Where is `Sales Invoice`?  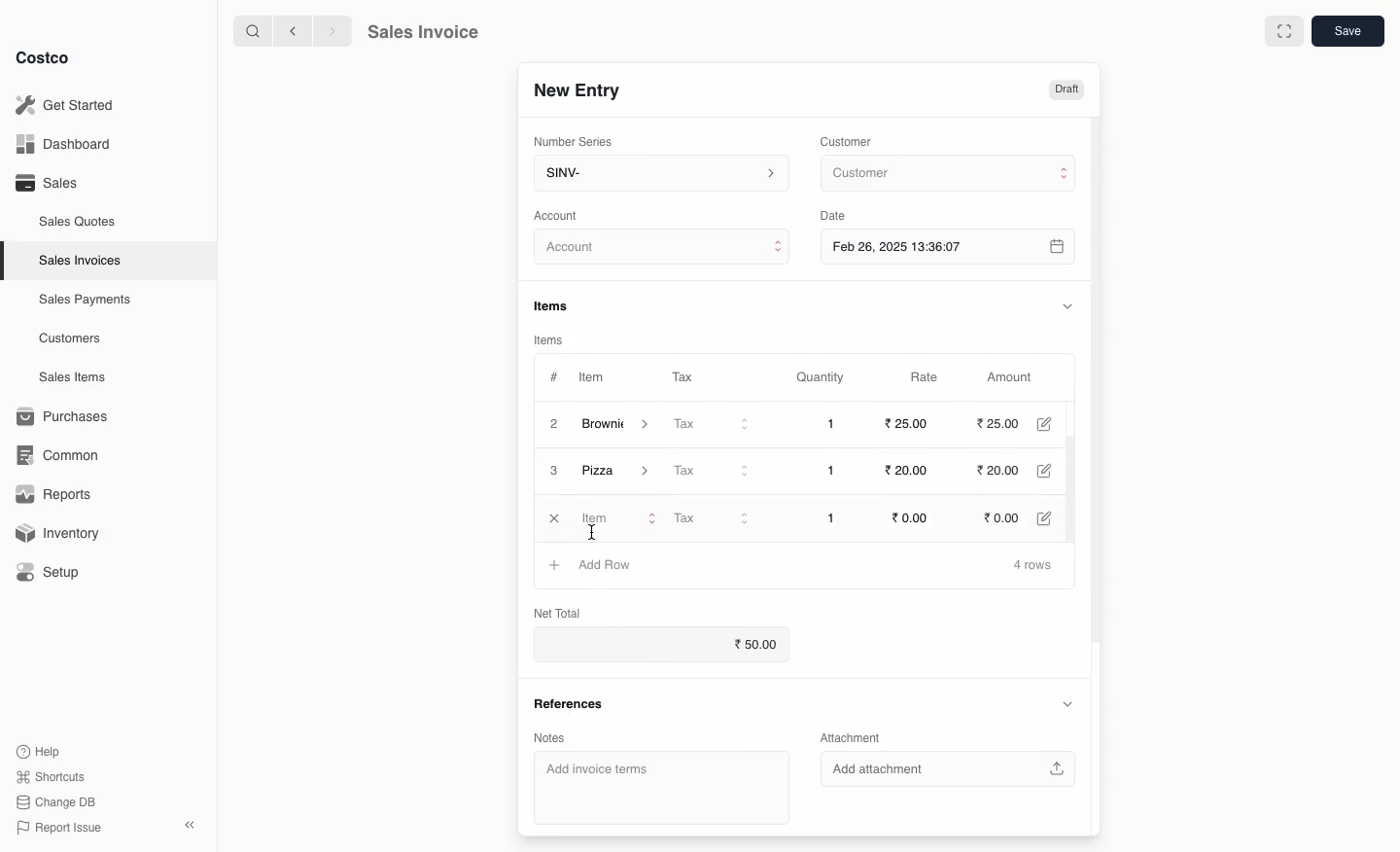 Sales Invoice is located at coordinates (423, 34).